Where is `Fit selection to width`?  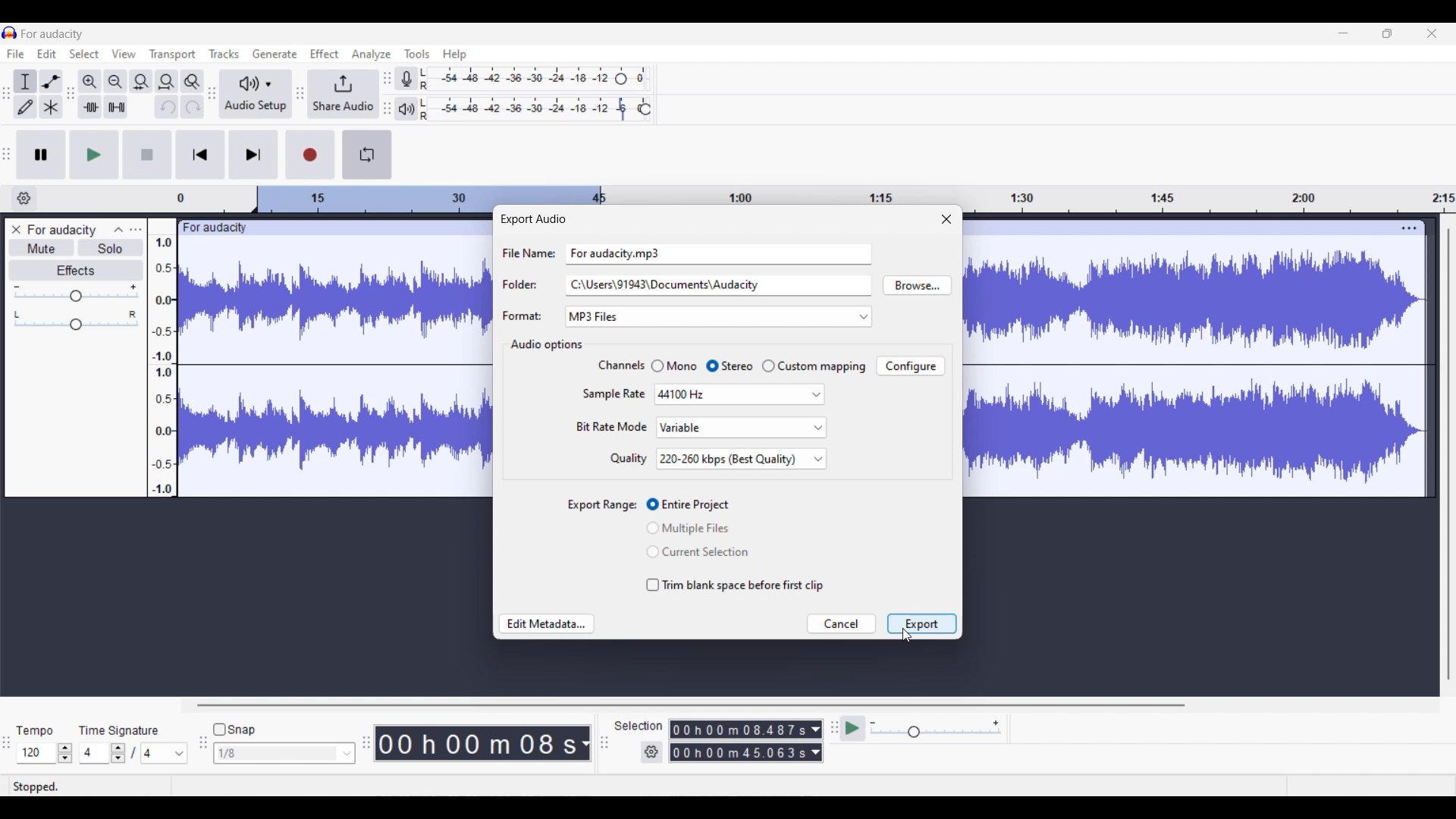 Fit selection to width is located at coordinates (140, 83).